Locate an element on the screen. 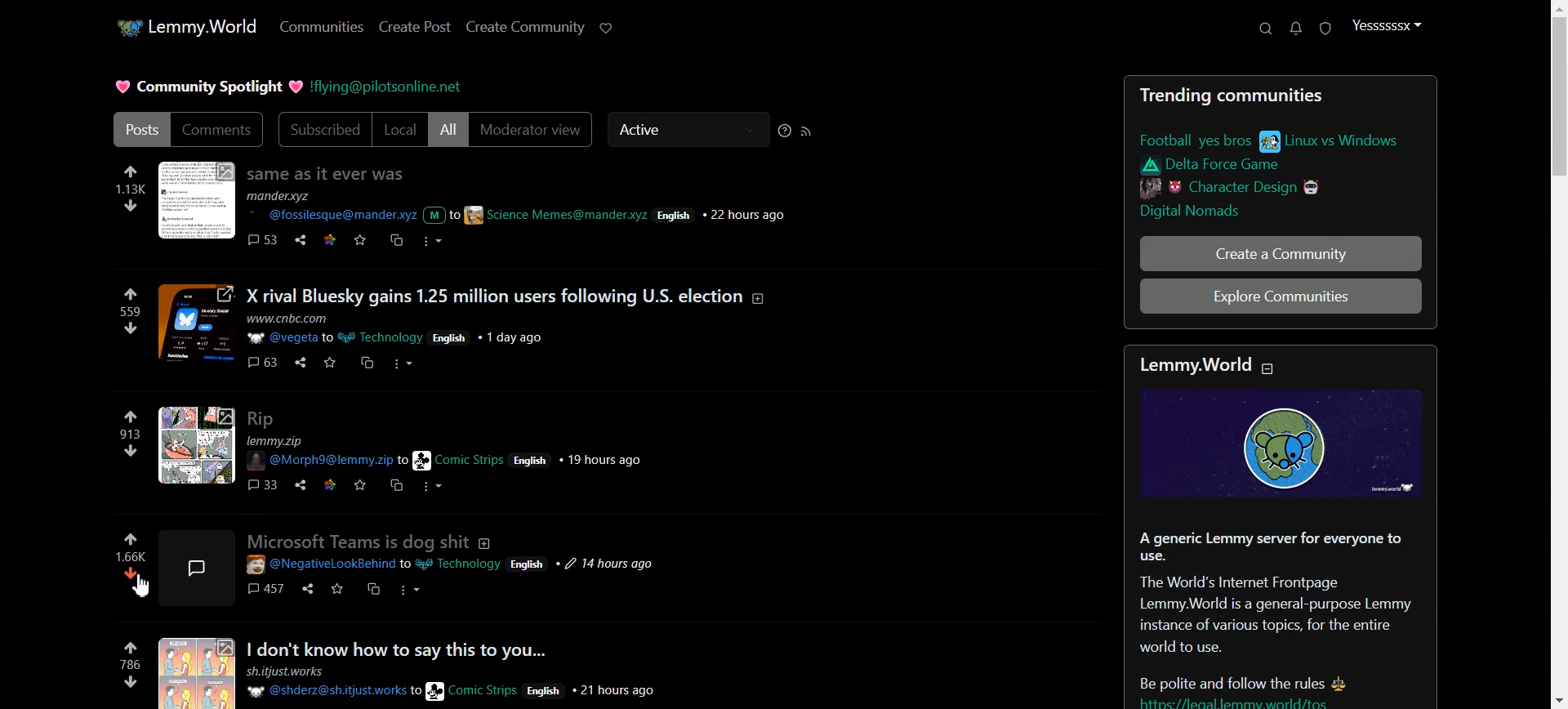 The height and width of the screenshot is (709, 1568). Home page is located at coordinates (182, 26).